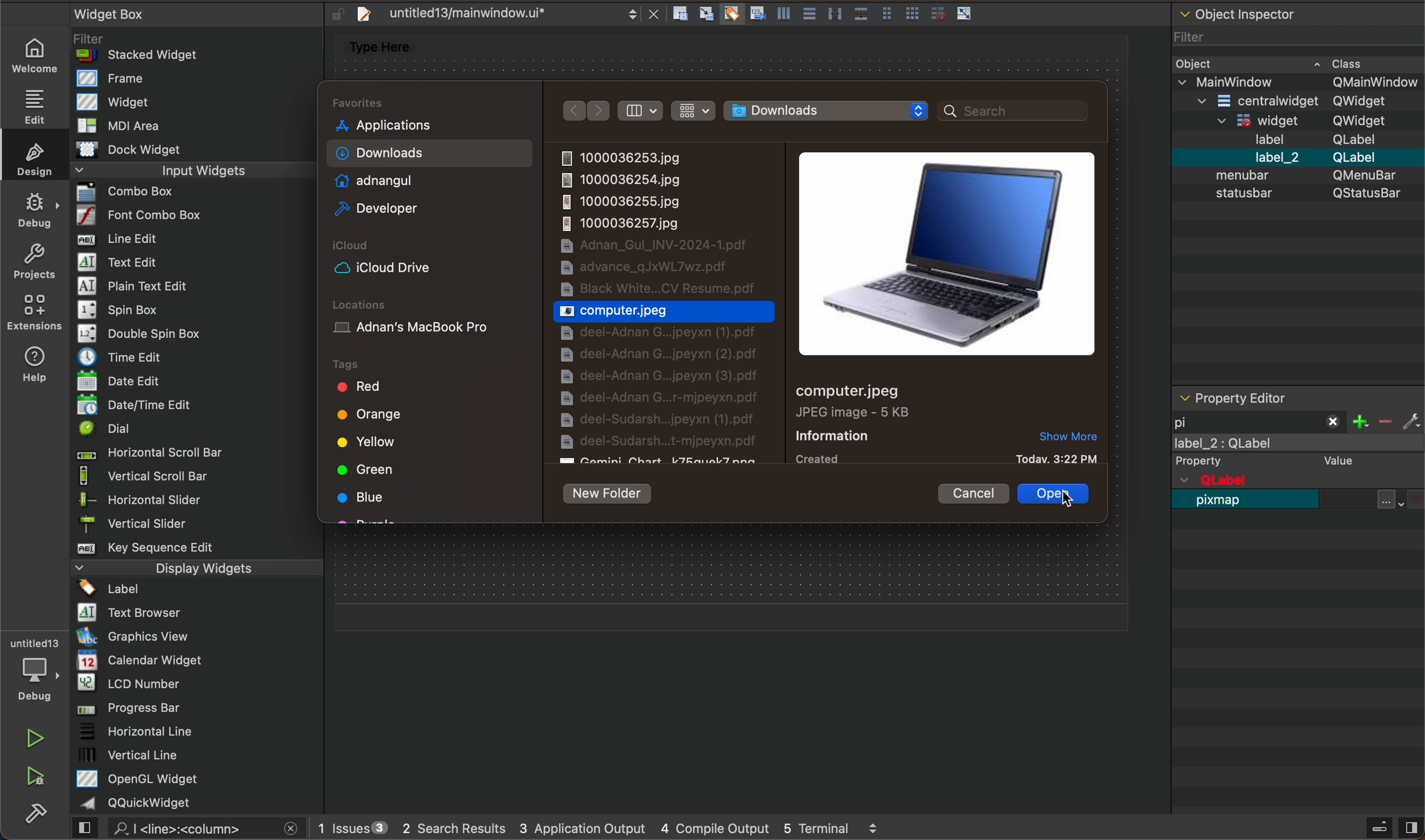 The width and height of the screenshot is (1425, 840). What do you see at coordinates (43, 778) in the screenshot?
I see `ran and debug` at bounding box center [43, 778].